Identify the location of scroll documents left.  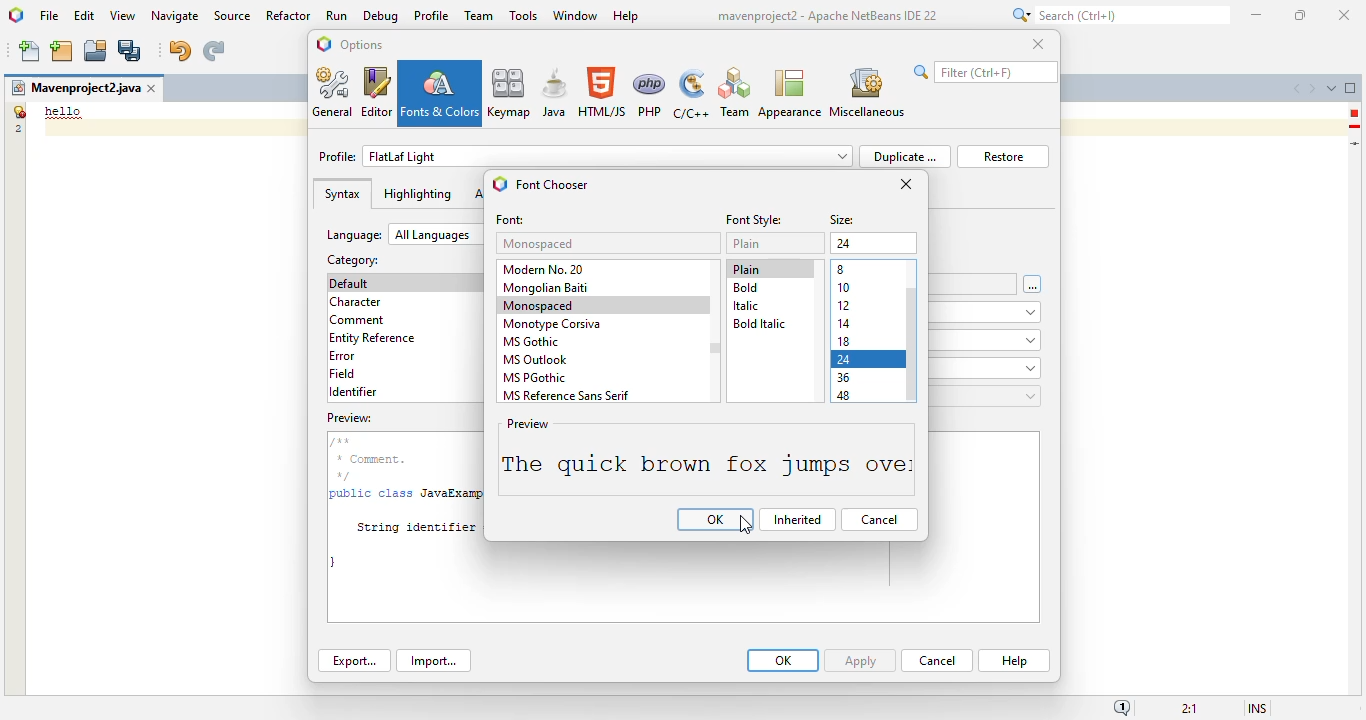
(1299, 89).